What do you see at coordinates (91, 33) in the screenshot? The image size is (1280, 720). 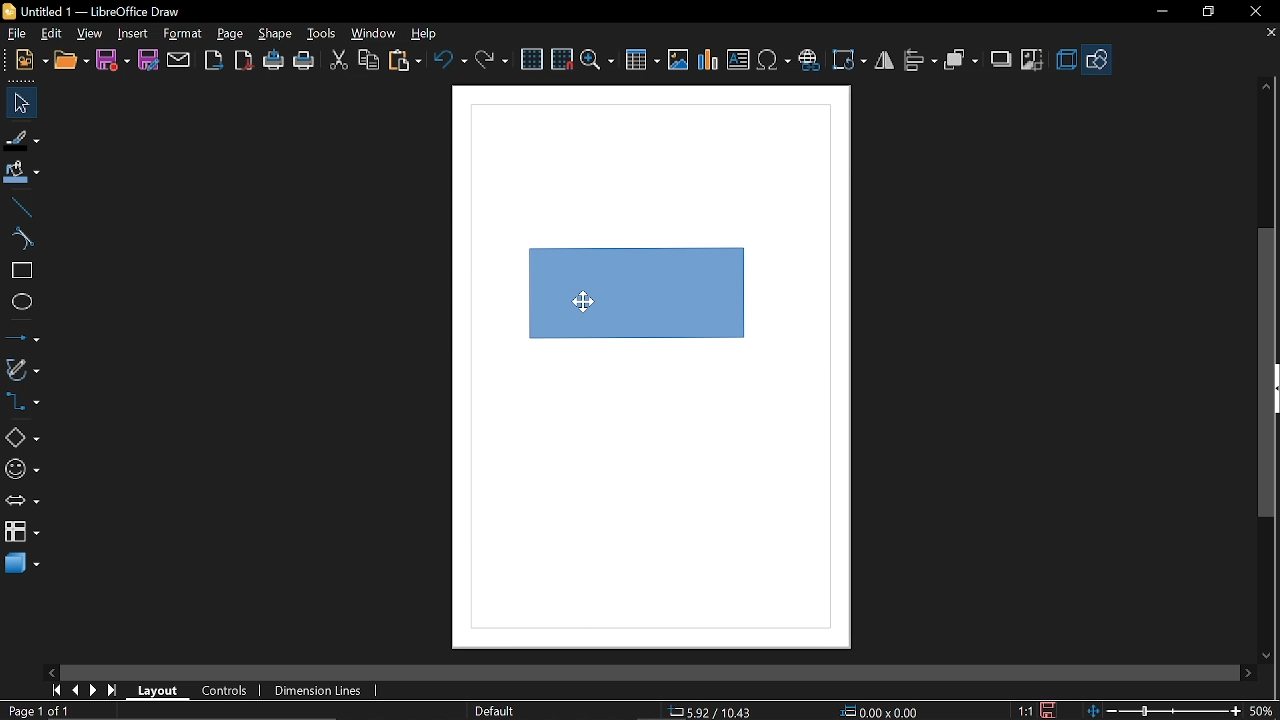 I see `View` at bounding box center [91, 33].